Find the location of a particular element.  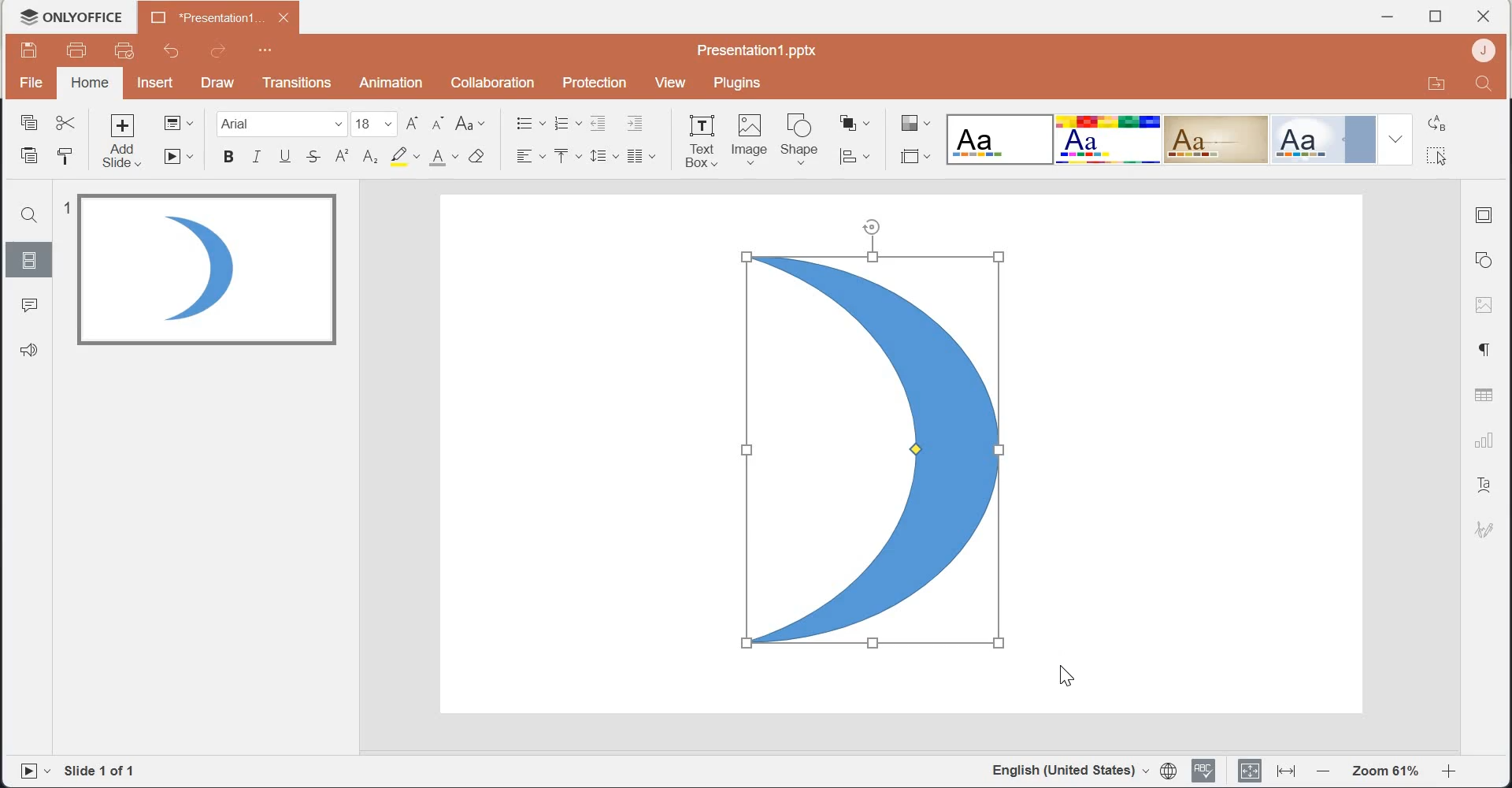

Strike through is located at coordinates (314, 156).